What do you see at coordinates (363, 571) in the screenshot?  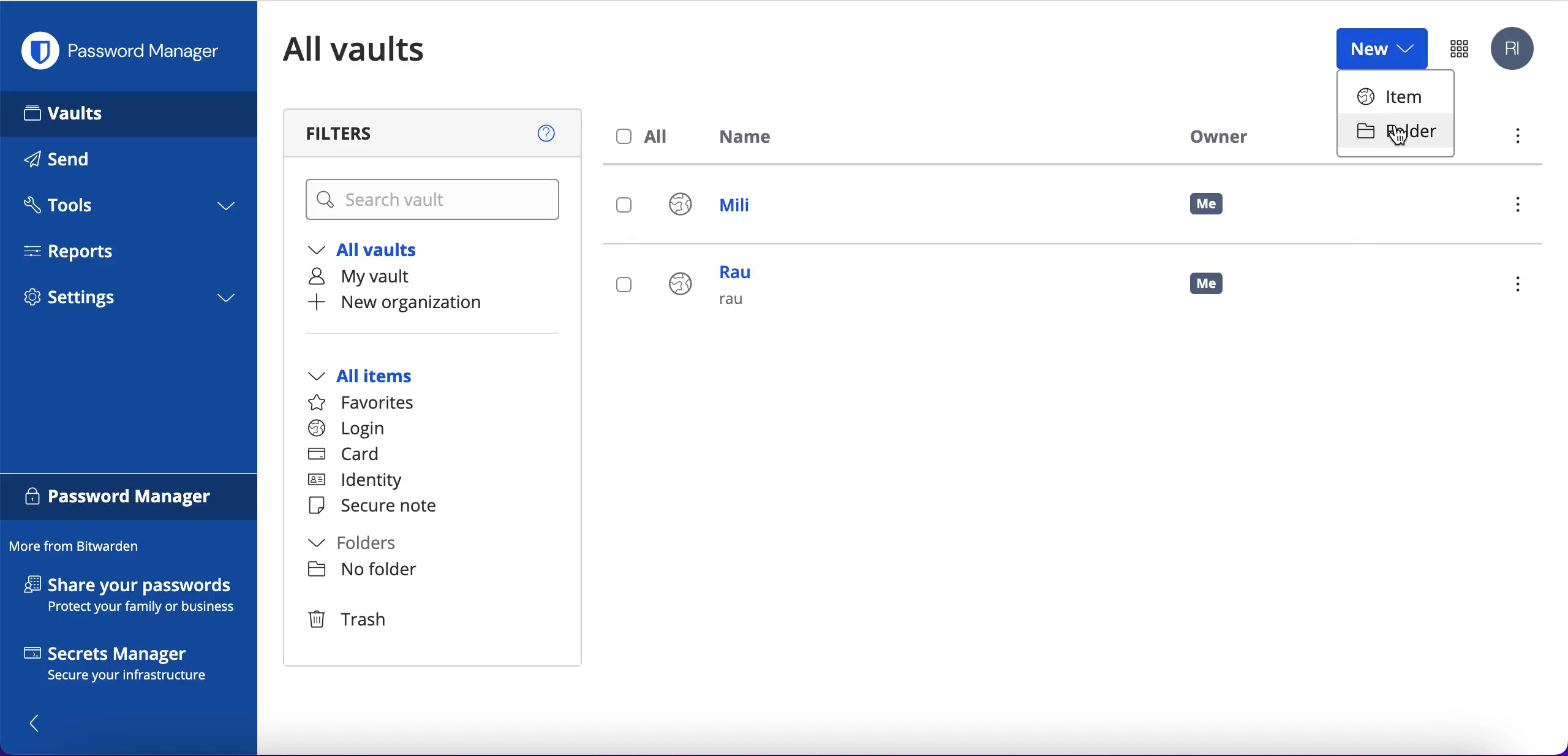 I see `no folder` at bounding box center [363, 571].